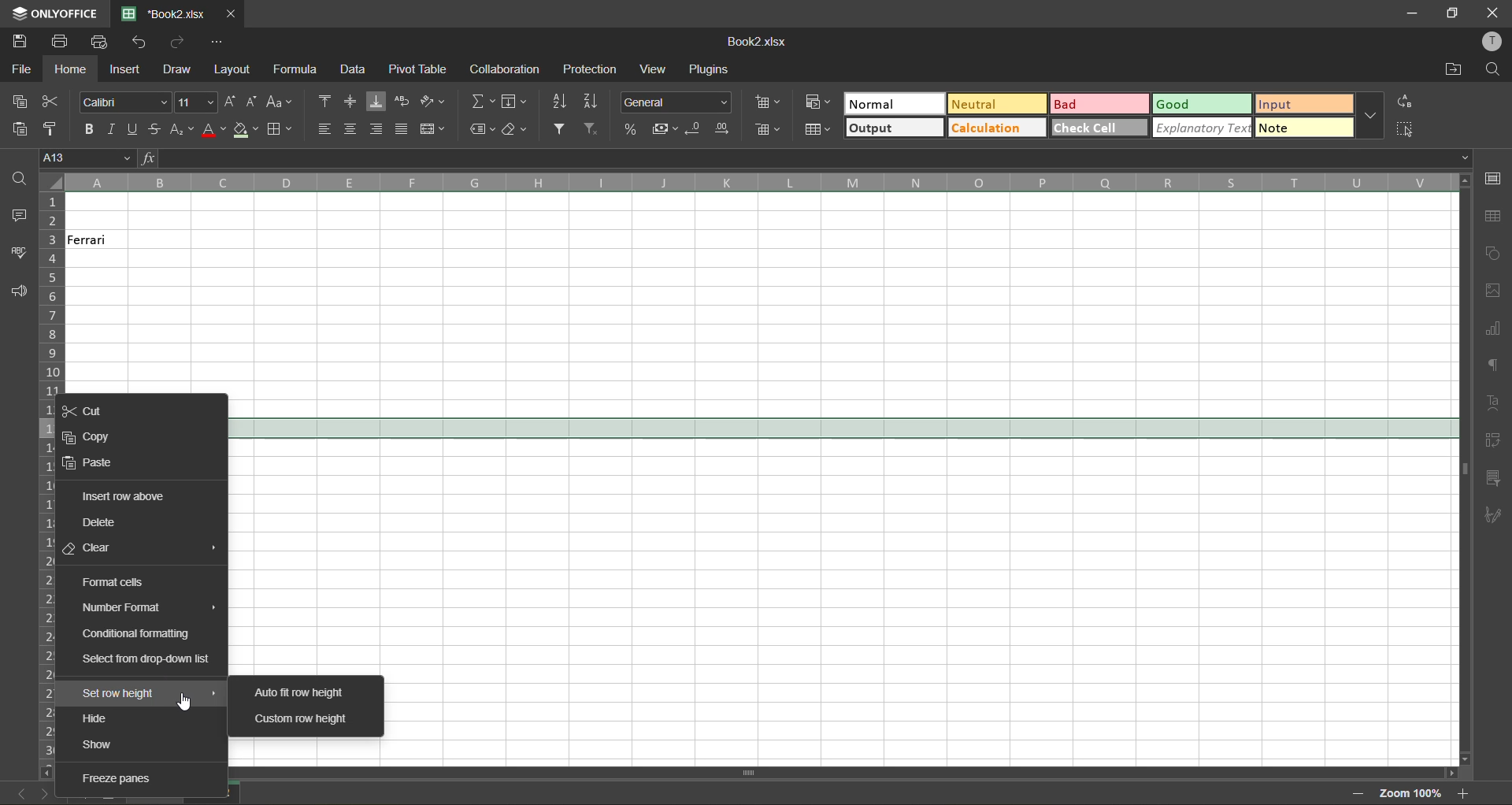 Image resolution: width=1512 pixels, height=805 pixels. Describe the element at coordinates (329, 129) in the screenshot. I see `align left` at that location.